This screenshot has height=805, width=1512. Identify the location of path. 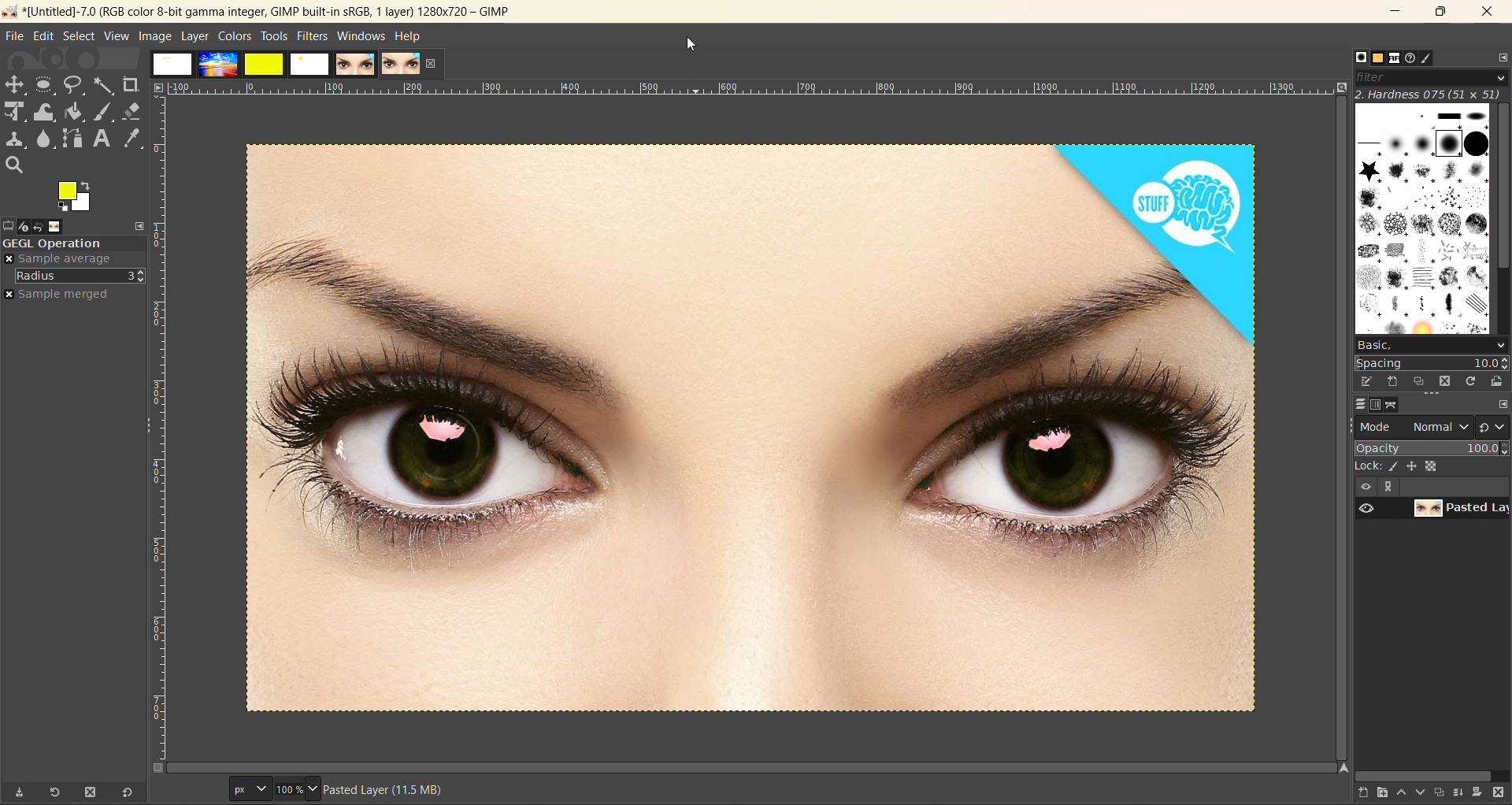
(1398, 406).